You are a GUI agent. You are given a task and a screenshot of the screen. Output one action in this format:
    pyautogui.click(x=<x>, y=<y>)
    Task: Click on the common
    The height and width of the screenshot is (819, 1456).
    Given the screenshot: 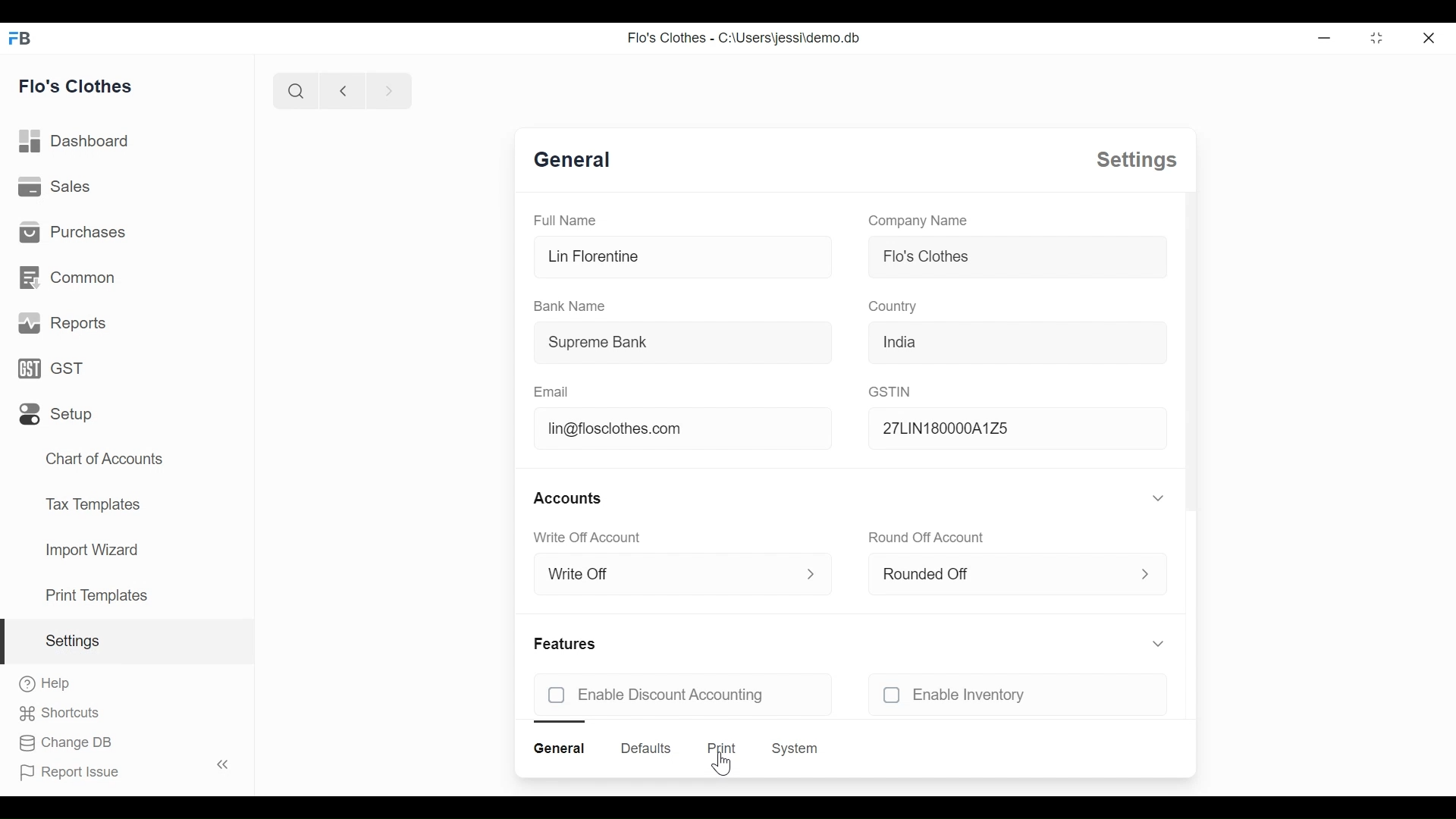 What is the action you would take?
    pyautogui.click(x=67, y=278)
    